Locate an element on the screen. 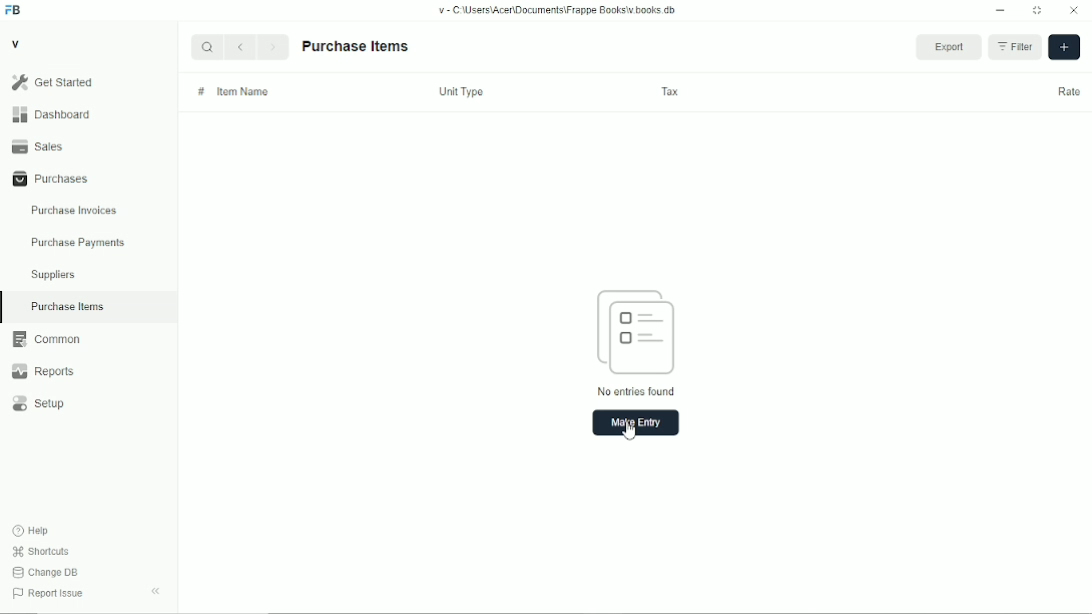 Image resolution: width=1092 pixels, height=614 pixels. v is located at coordinates (17, 43).